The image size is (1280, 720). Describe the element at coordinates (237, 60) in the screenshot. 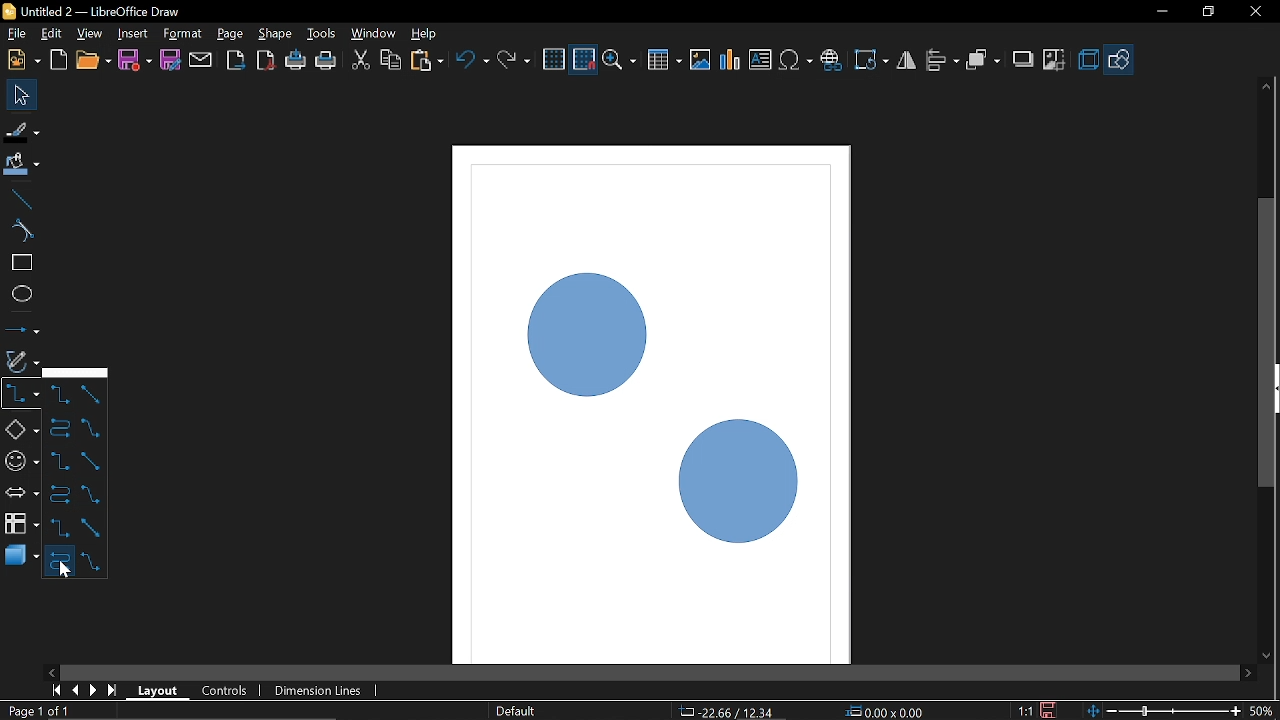

I see `Export` at that location.